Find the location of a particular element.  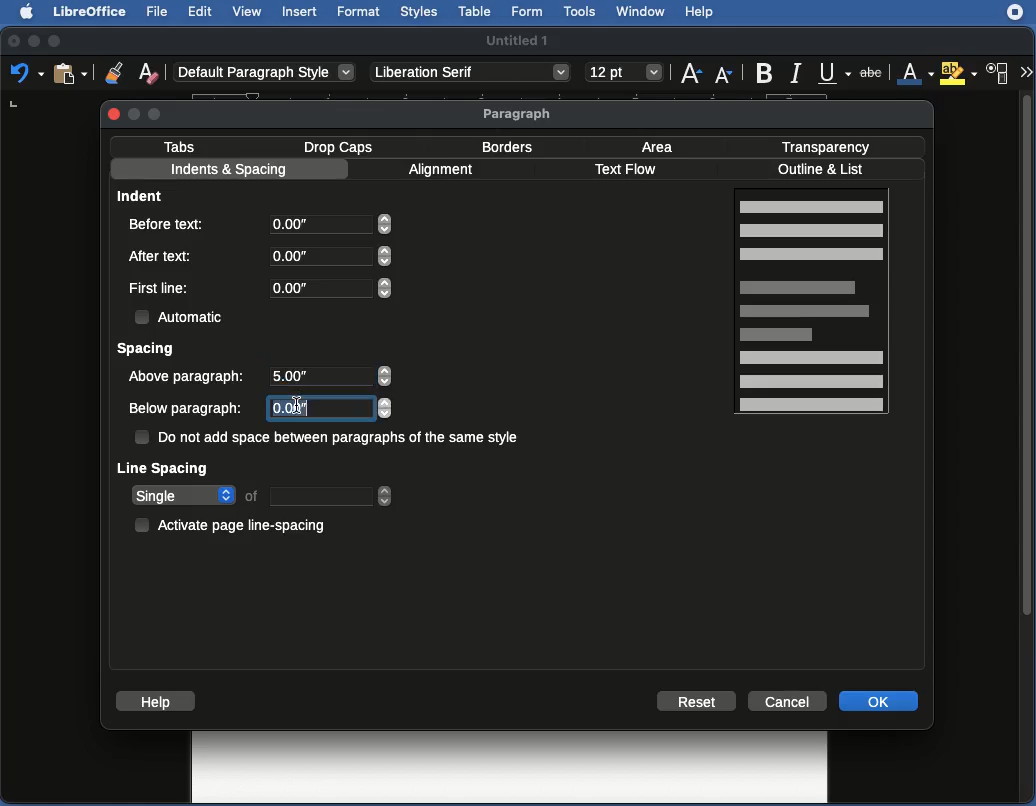

font size is located at coordinates (621, 72).